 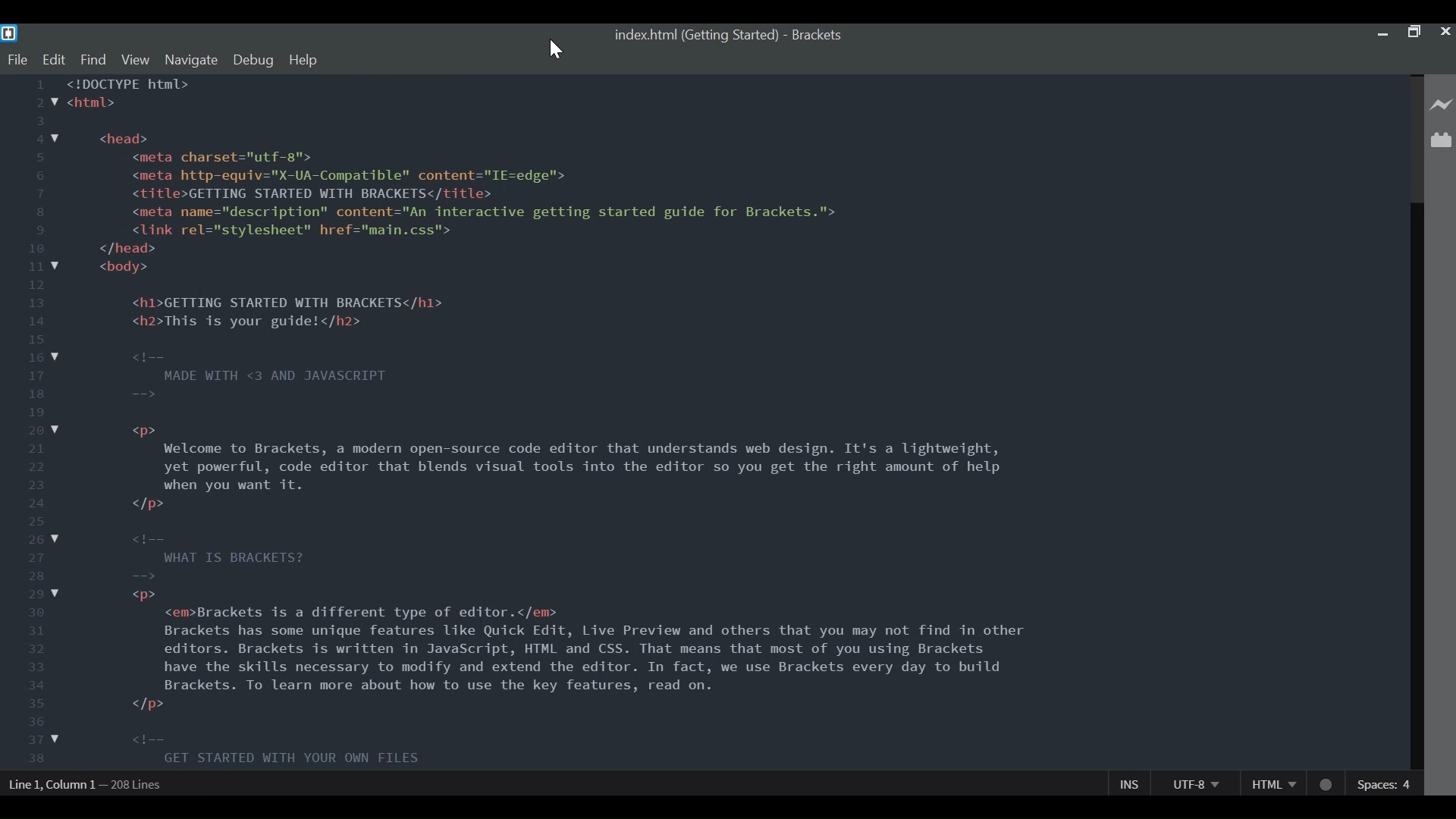 I want to click on Close, so click(x=1447, y=33).